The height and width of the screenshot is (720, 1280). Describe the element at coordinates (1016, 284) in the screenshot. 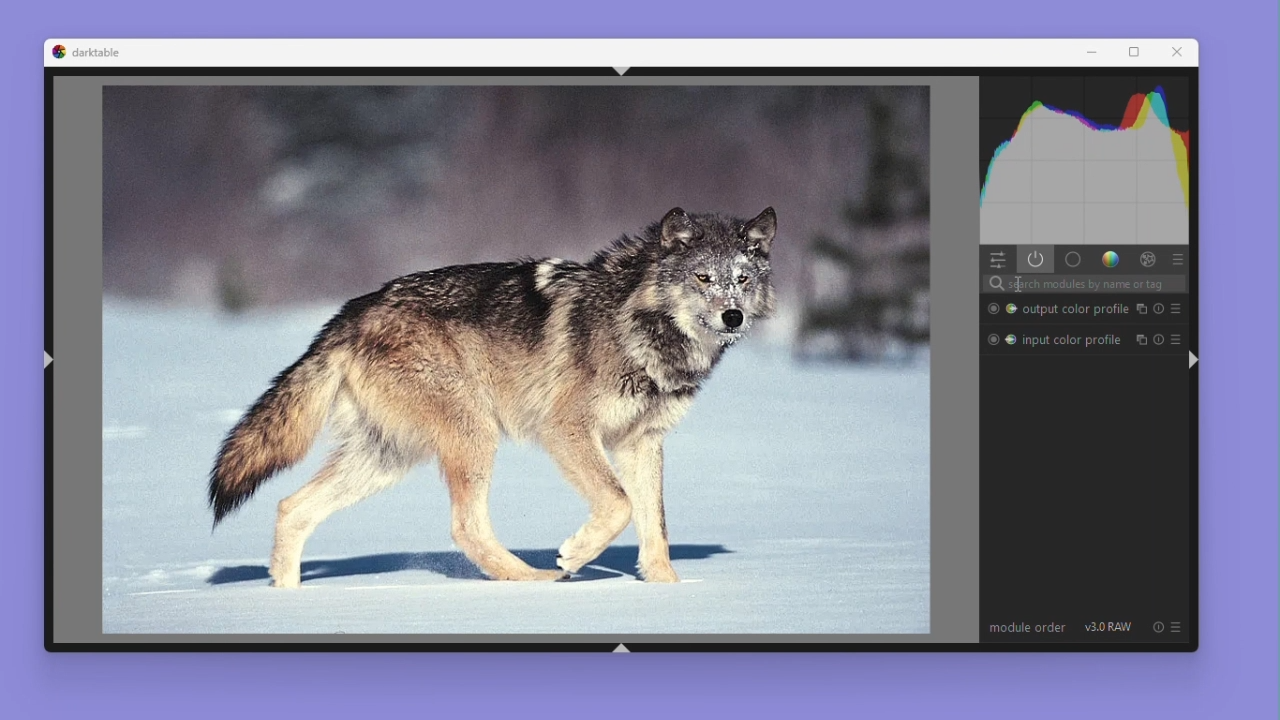

I see `Cursor` at that location.